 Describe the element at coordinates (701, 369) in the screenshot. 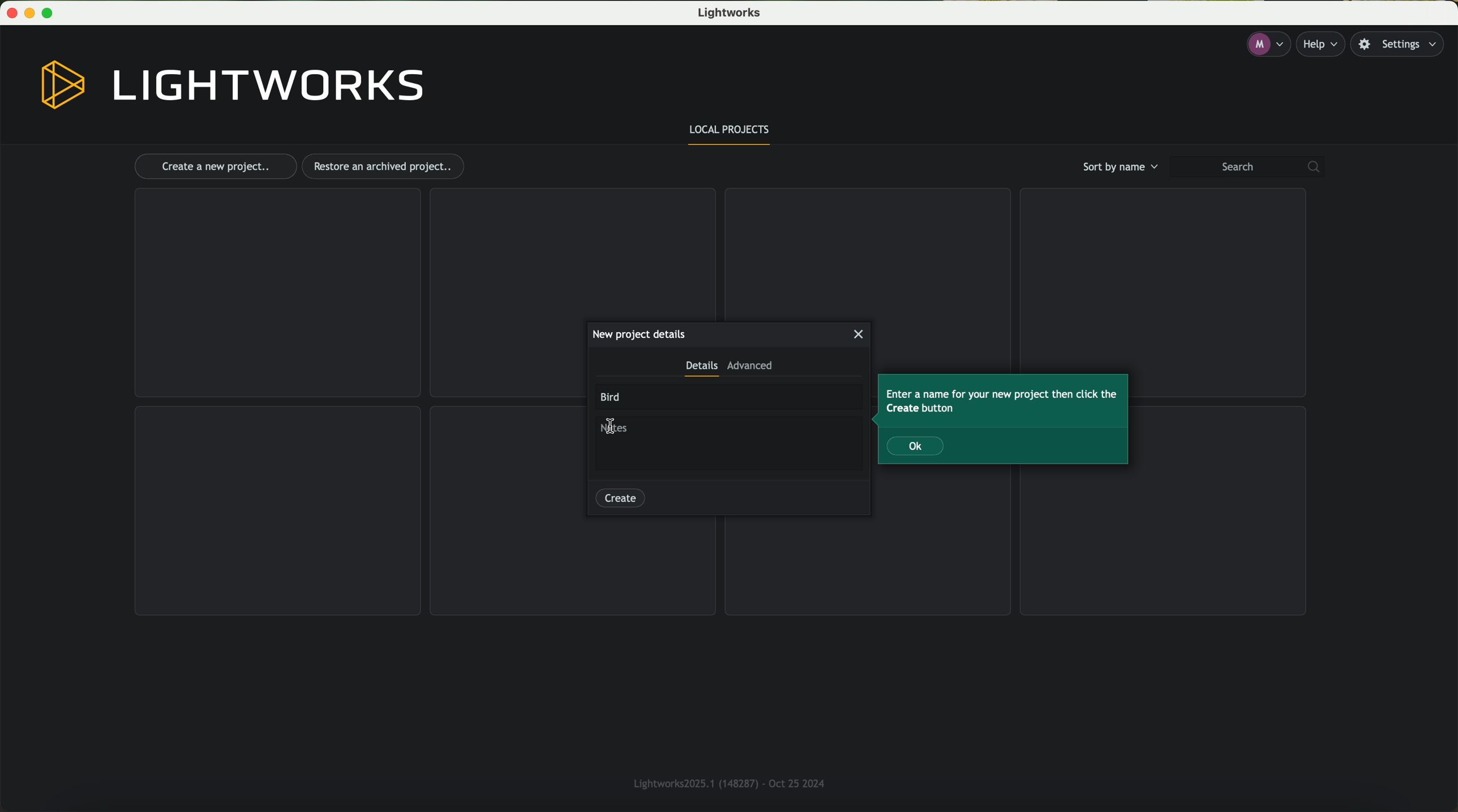

I see `details` at that location.